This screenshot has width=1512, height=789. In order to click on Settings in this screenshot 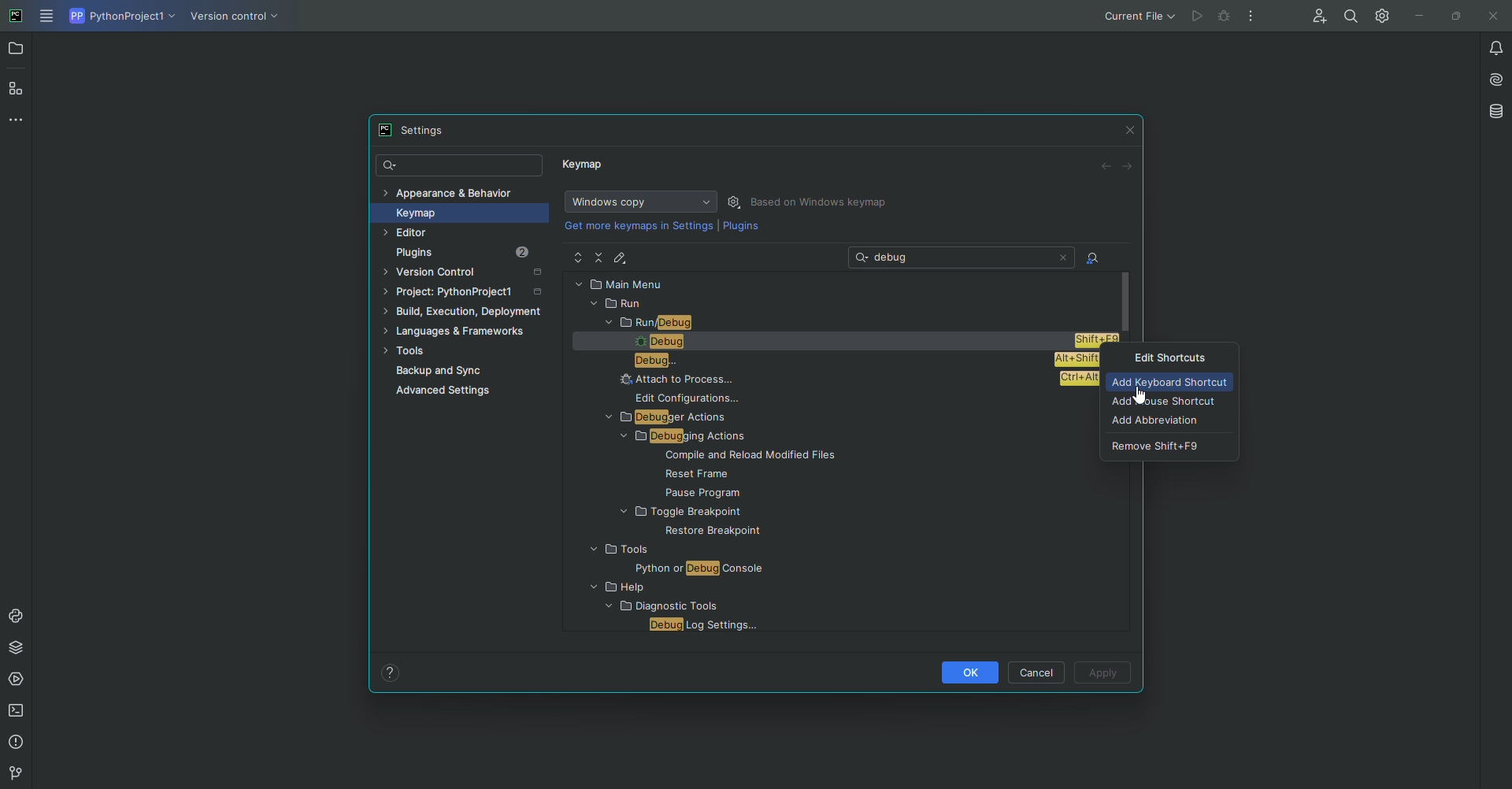, I will do `click(418, 130)`.